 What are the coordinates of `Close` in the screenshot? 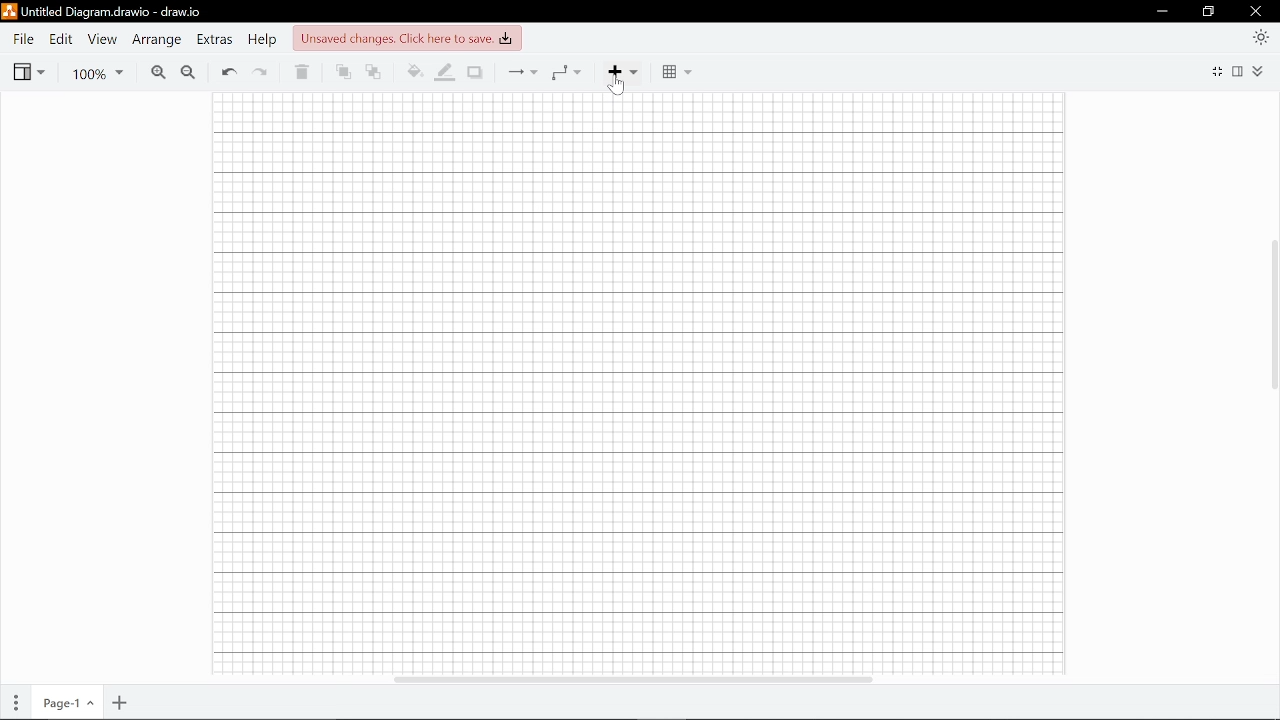 It's located at (1255, 11).